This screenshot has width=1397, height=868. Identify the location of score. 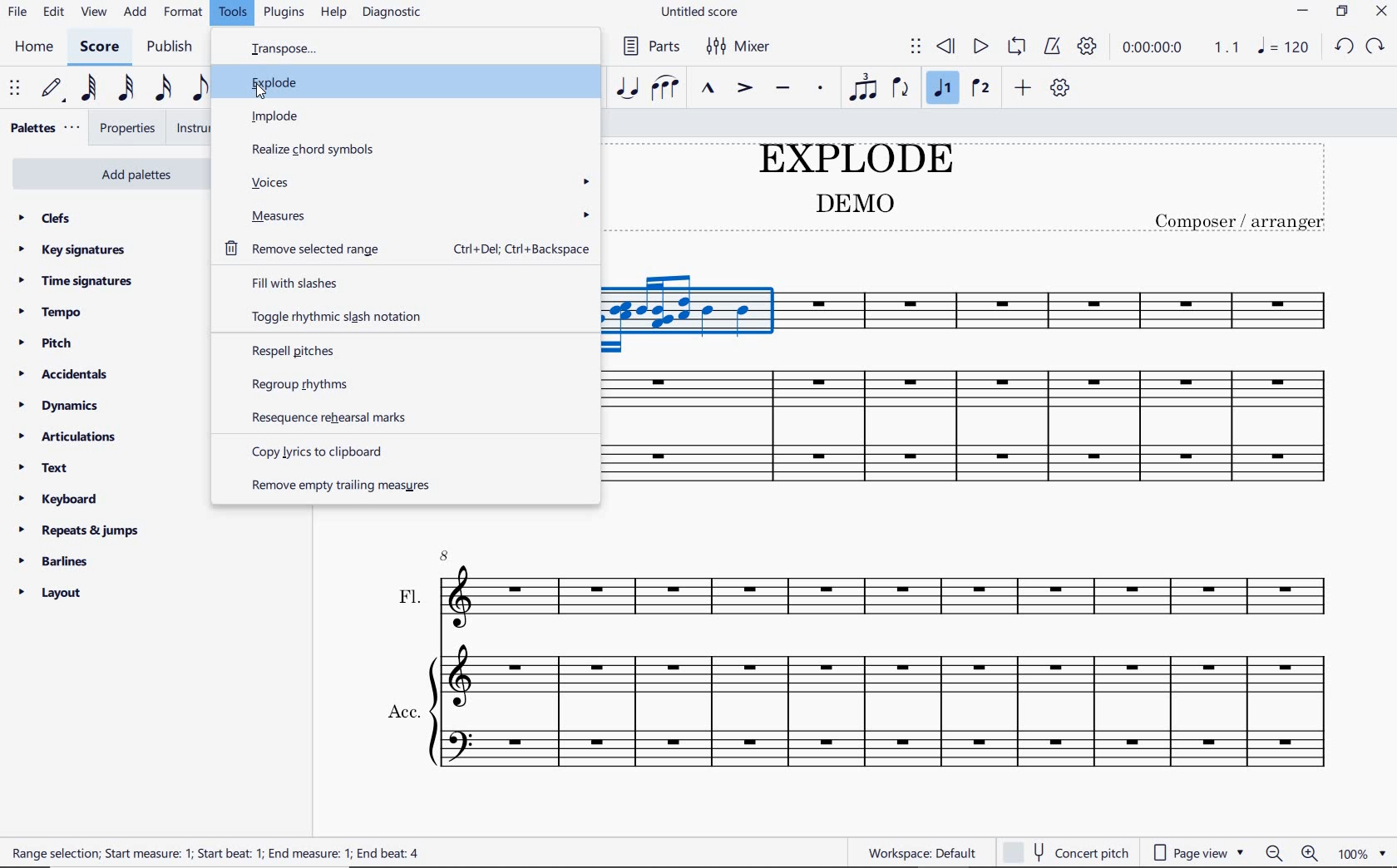
(100, 47).